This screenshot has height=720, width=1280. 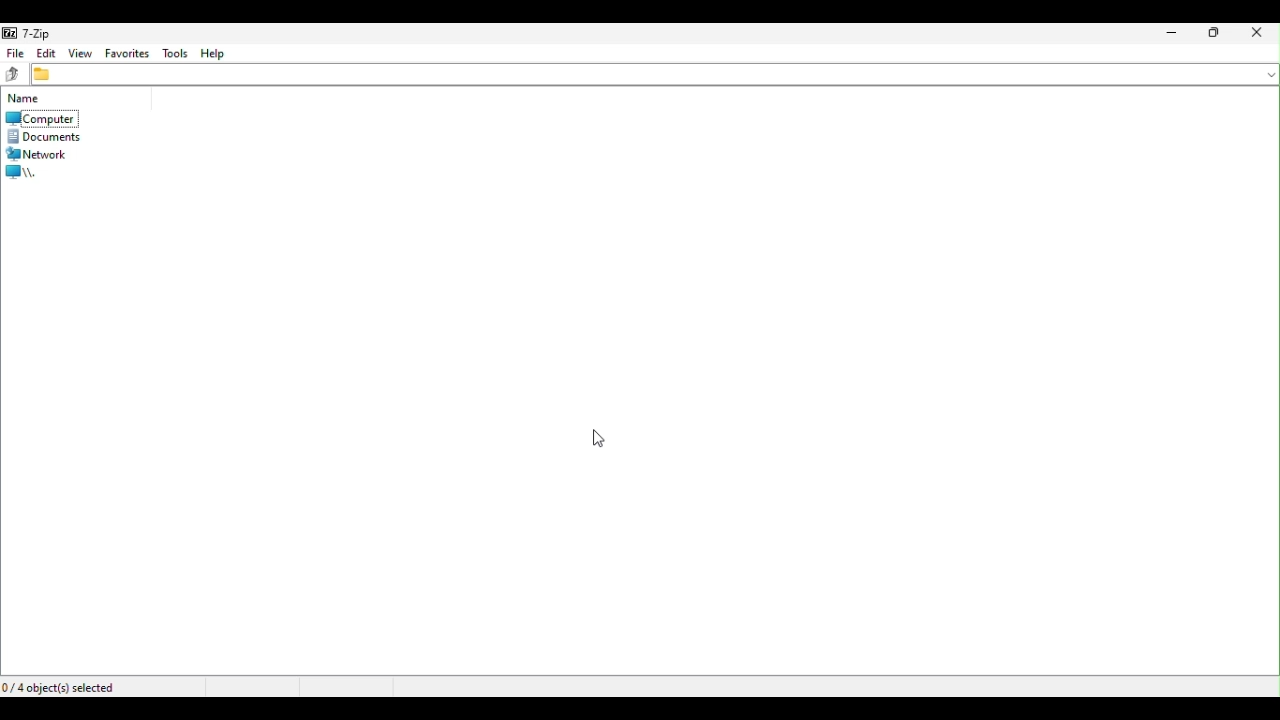 What do you see at coordinates (44, 154) in the screenshot?
I see `network` at bounding box center [44, 154].